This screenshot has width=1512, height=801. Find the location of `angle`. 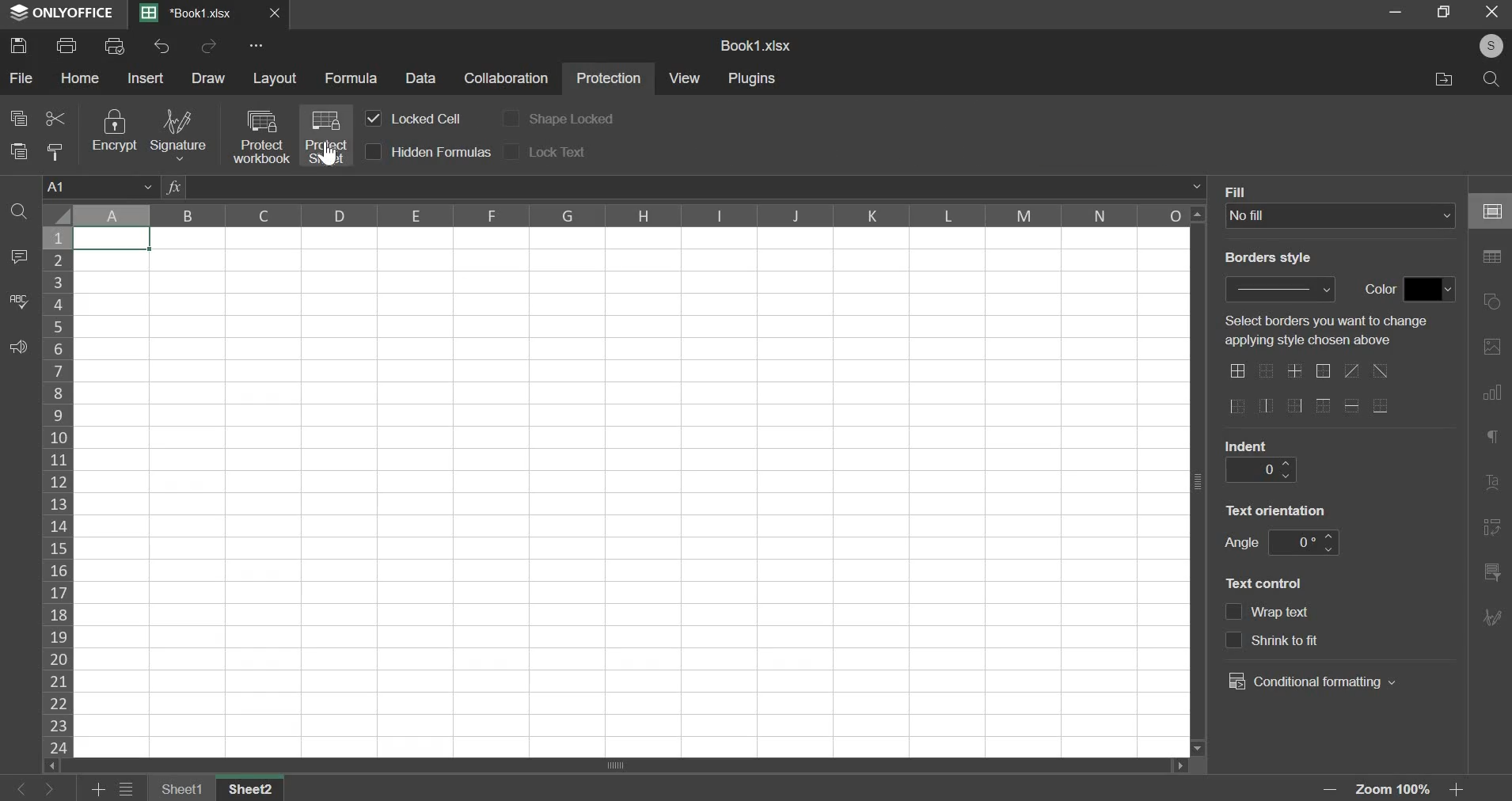

angle is located at coordinates (1240, 542).